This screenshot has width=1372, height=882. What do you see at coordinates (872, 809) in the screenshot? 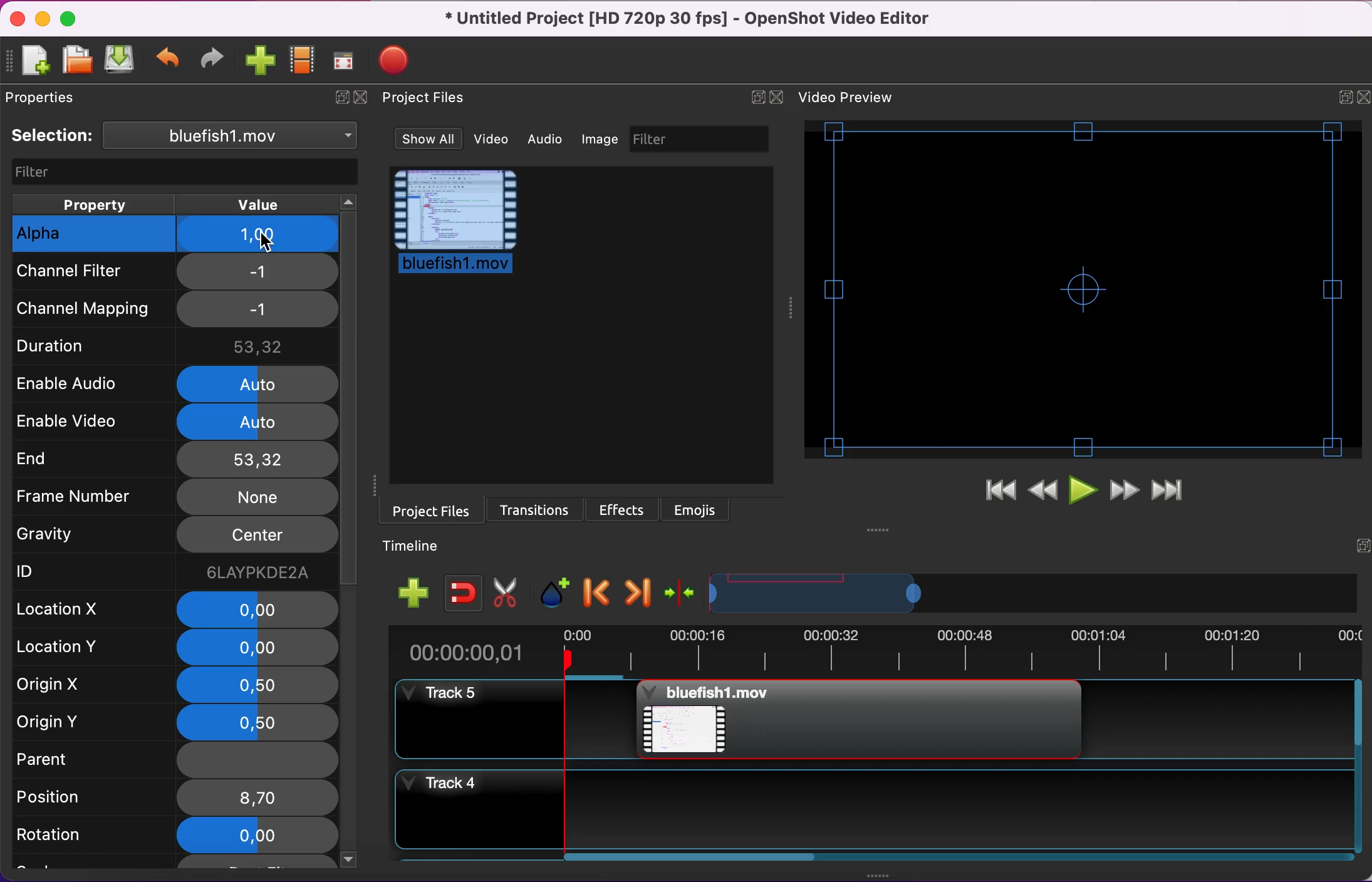
I see `track 4` at bounding box center [872, 809].